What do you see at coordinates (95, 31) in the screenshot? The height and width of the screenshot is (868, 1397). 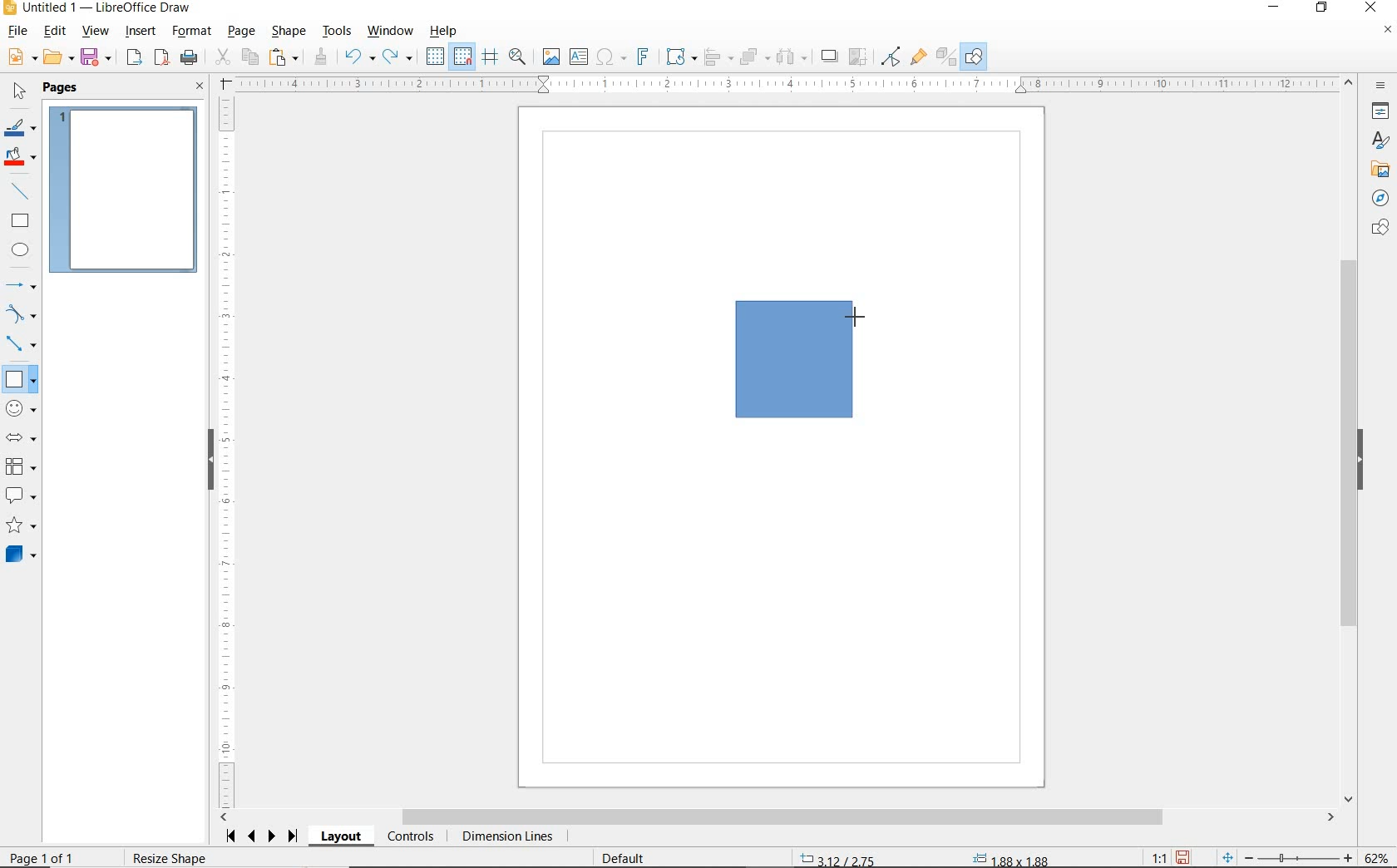 I see `VIEW` at bounding box center [95, 31].